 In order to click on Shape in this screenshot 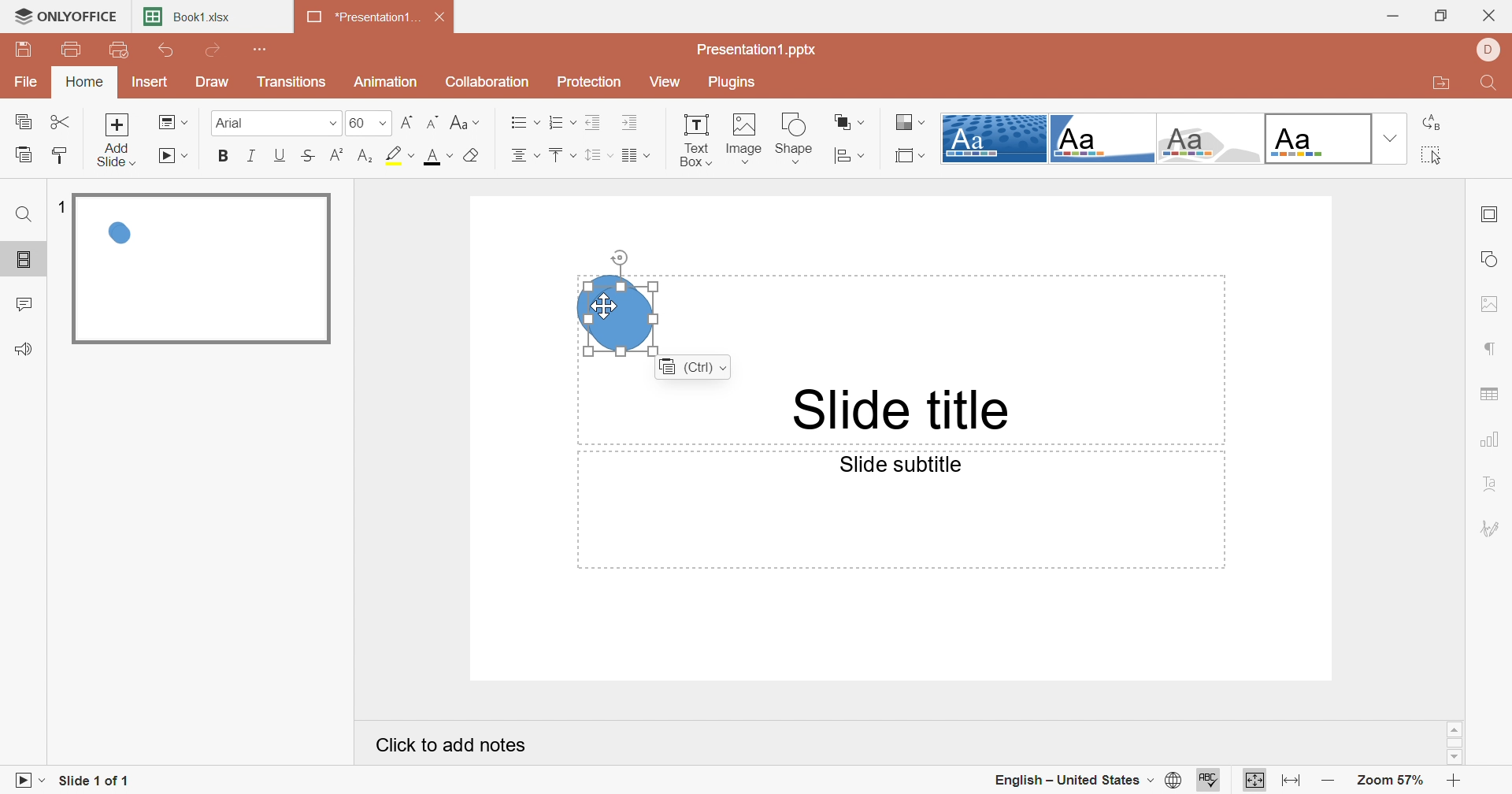, I will do `click(795, 138)`.